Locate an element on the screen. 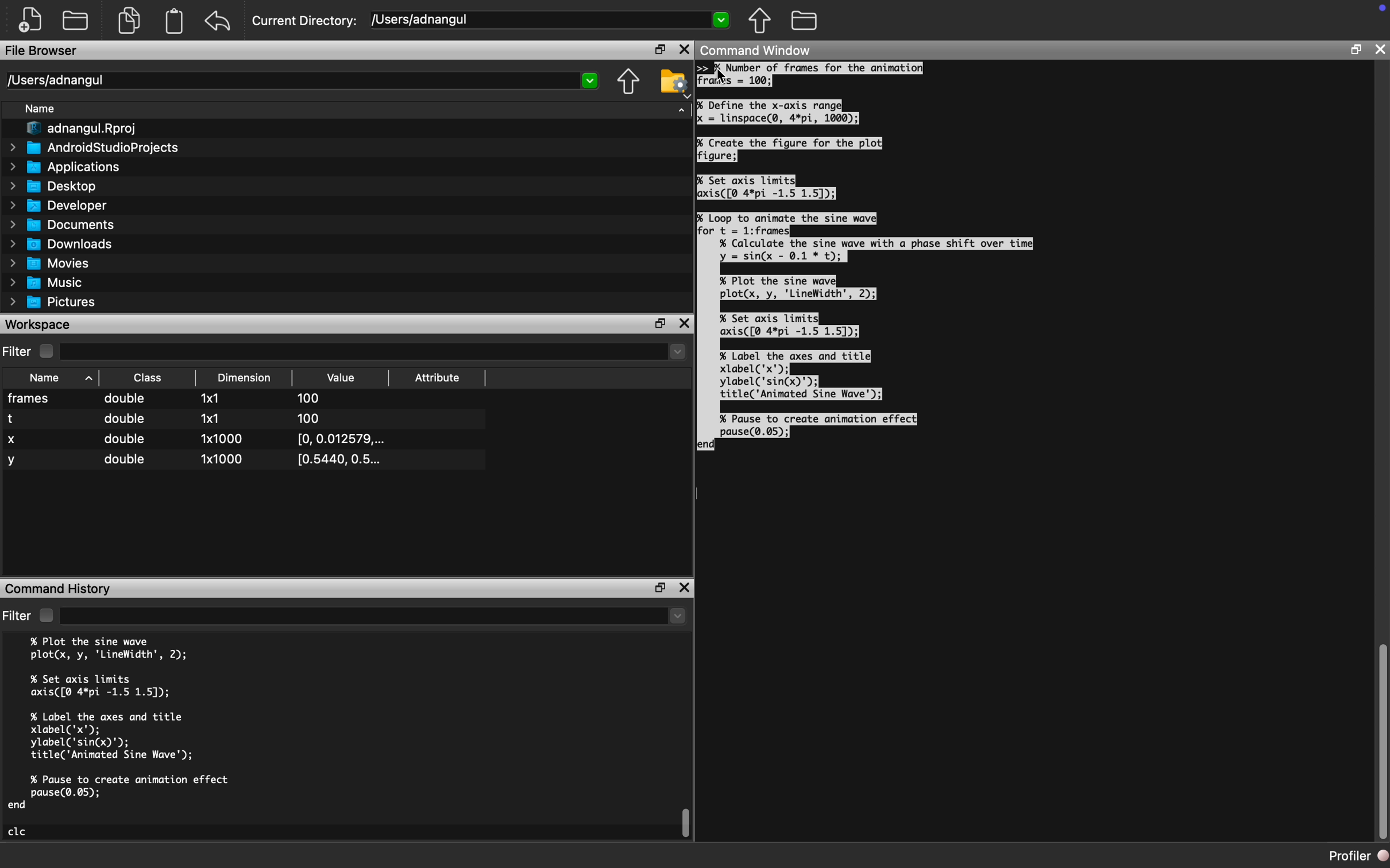 This screenshot has width=1390, height=868. Scroll is located at coordinates (1381, 738).